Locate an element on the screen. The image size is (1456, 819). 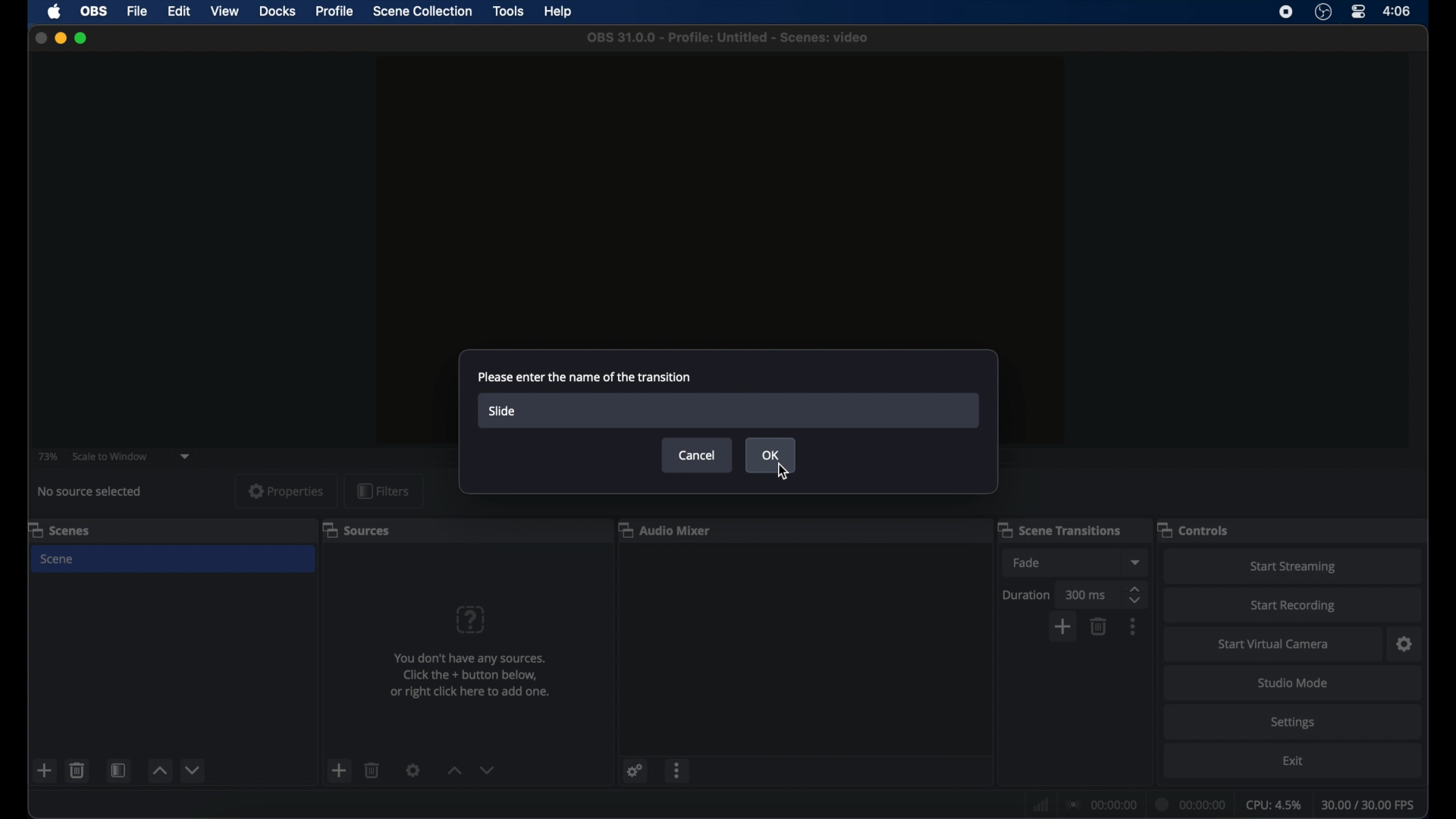
delete is located at coordinates (372, 770).